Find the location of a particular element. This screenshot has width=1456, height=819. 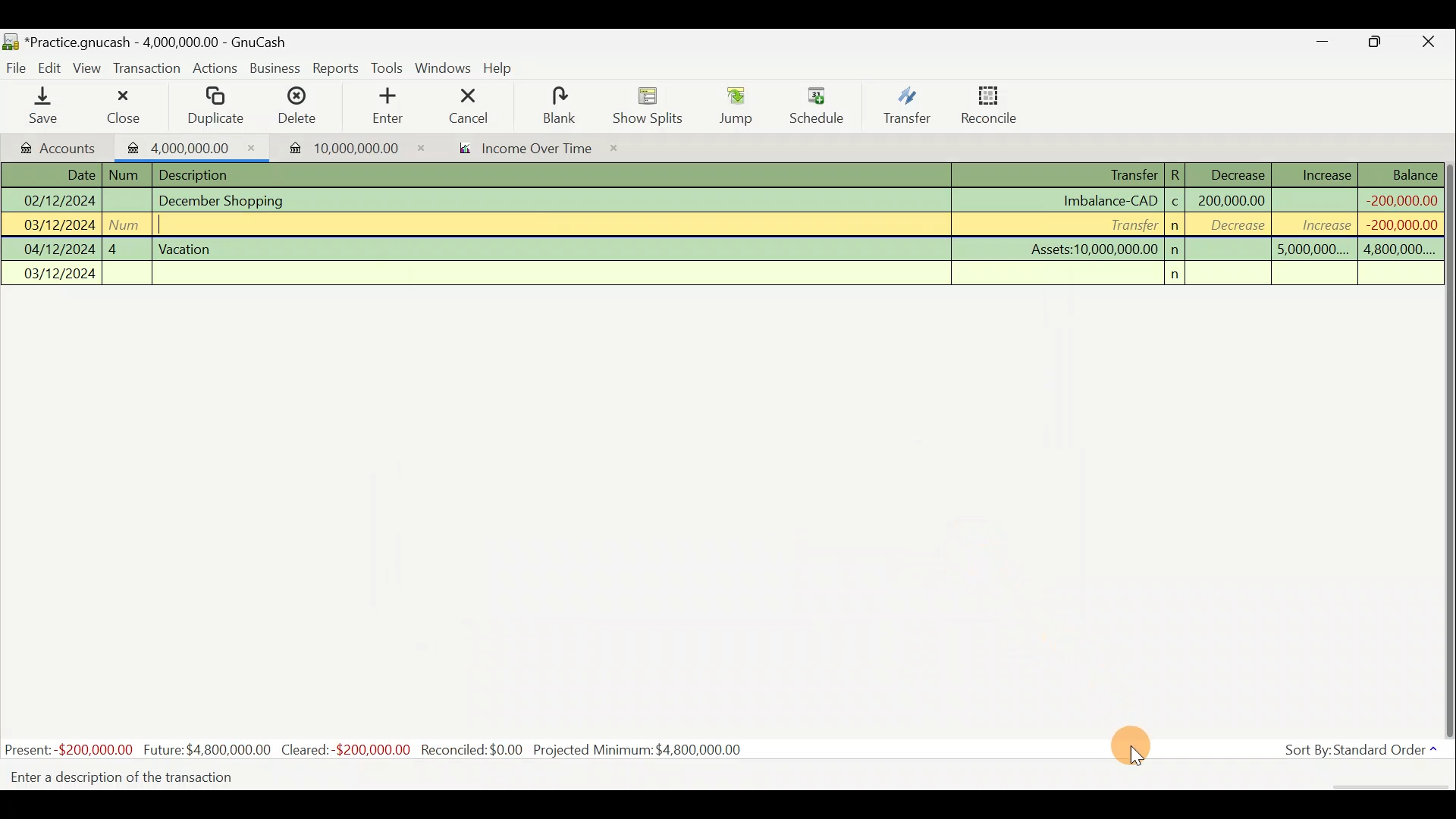

December Shopping is located at coordinates (228, 201).